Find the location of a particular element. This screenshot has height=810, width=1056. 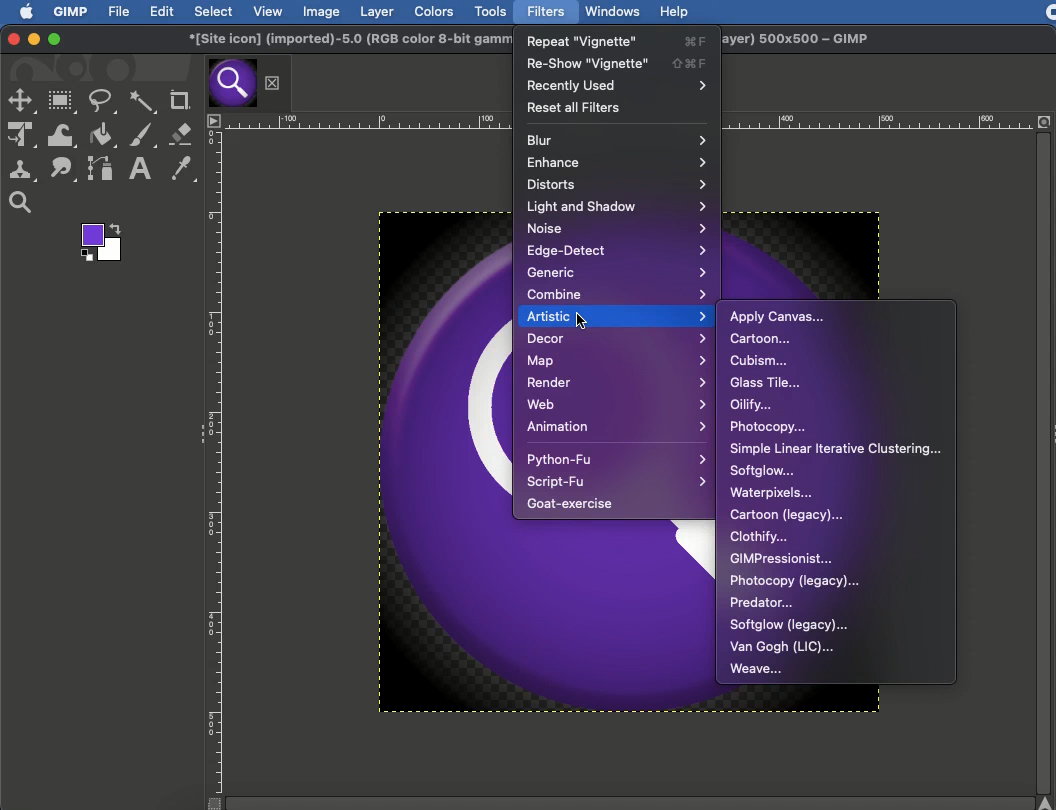

Color is located at coordinates (99, 243).